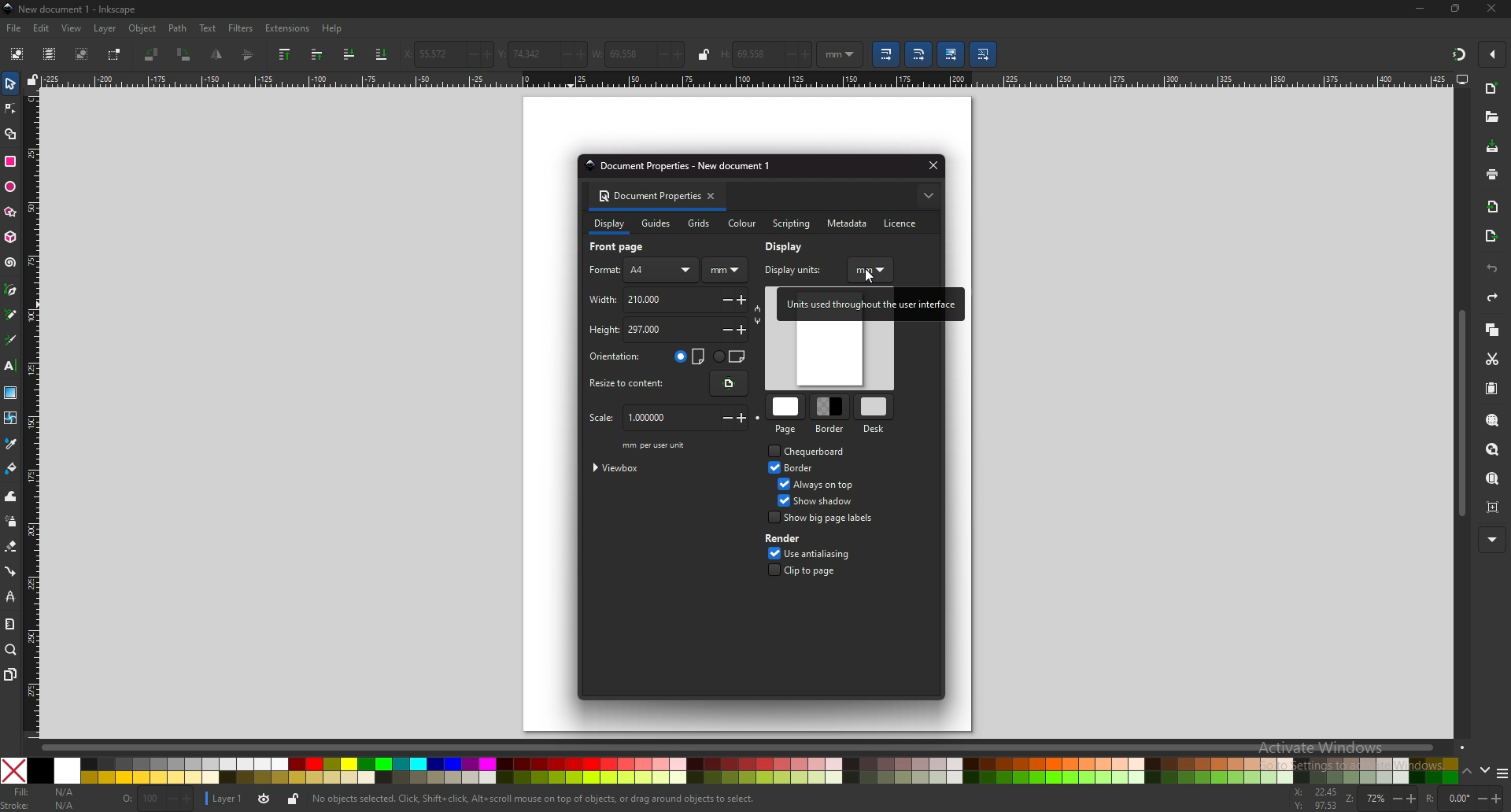  What do you see at coordinates (1410, 799) in the screenshot?
I see `+` at bounding box center [1410, 799].